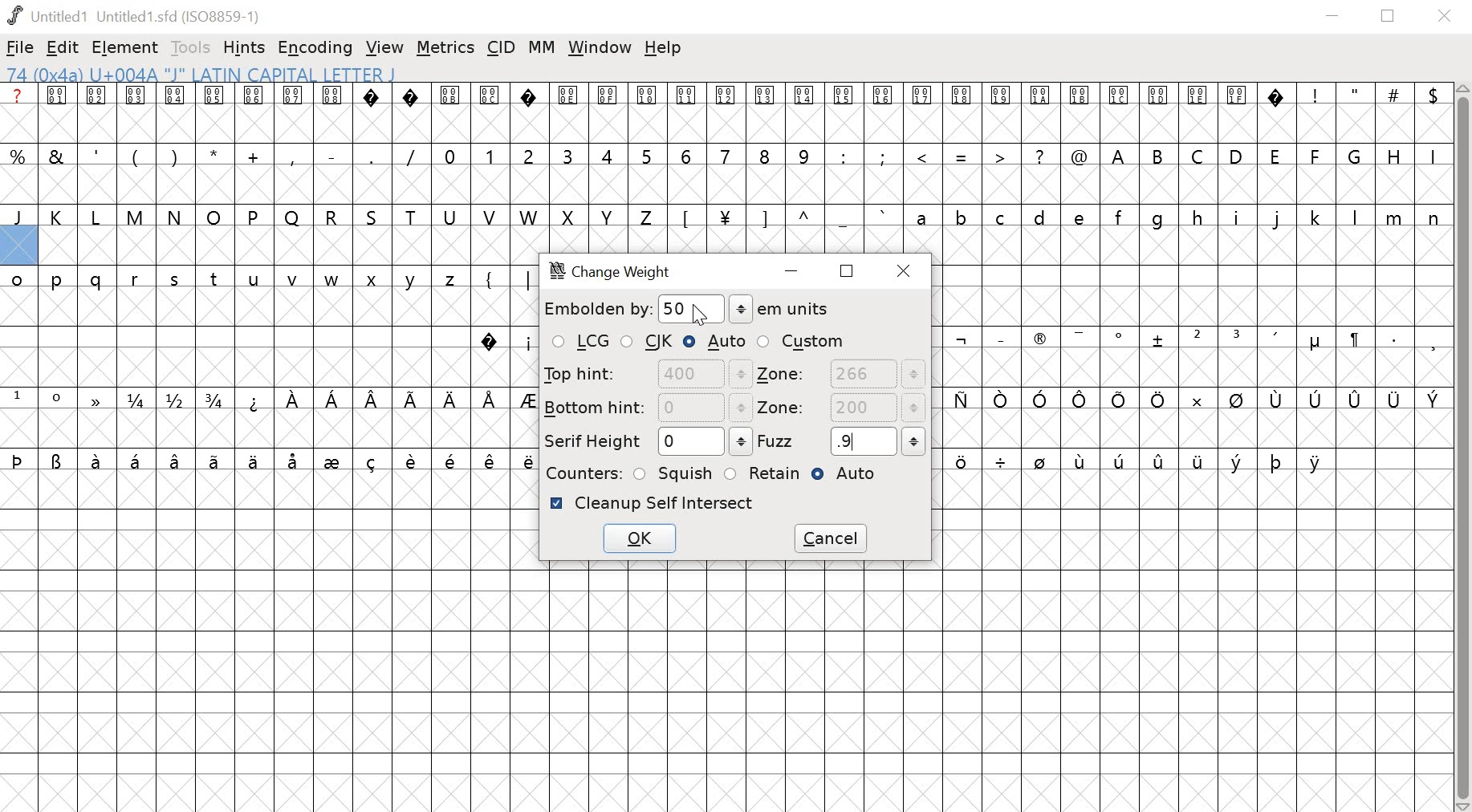 The height and width of the screenshot is (812, 1472). I want to click on MM, so click(543, 47).